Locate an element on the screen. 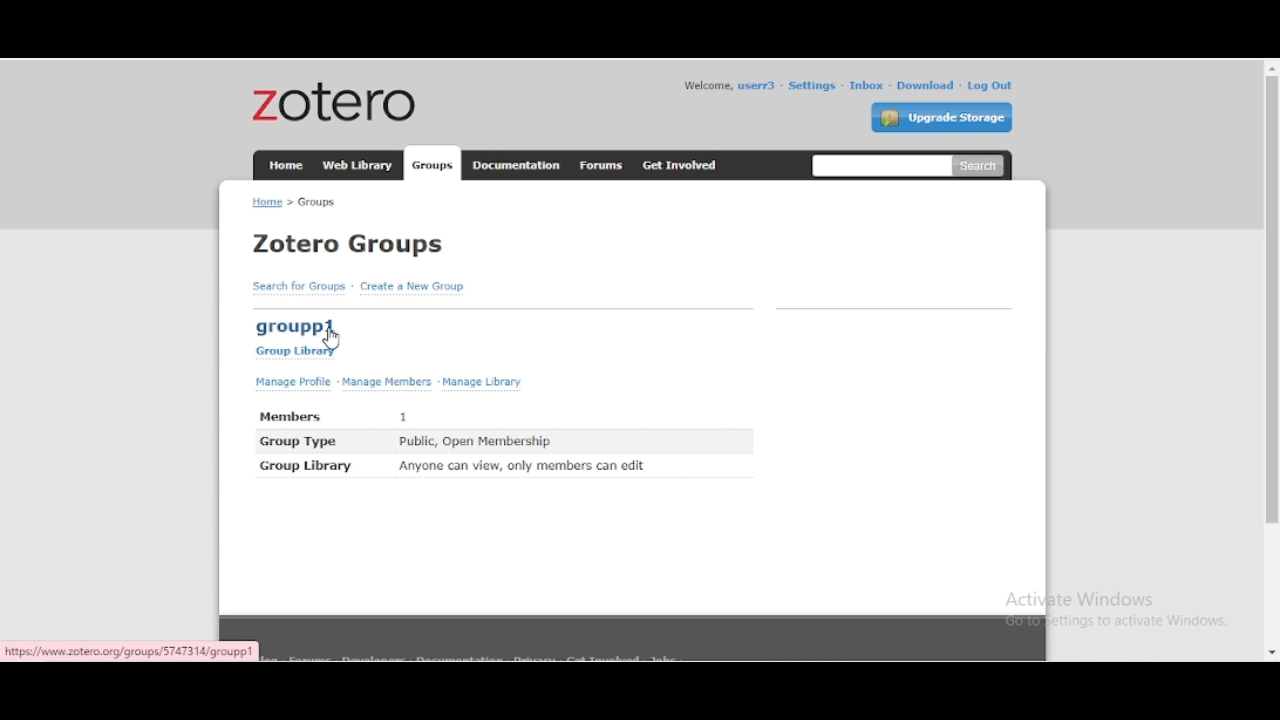  cursor is located at coordinates (332, 340).